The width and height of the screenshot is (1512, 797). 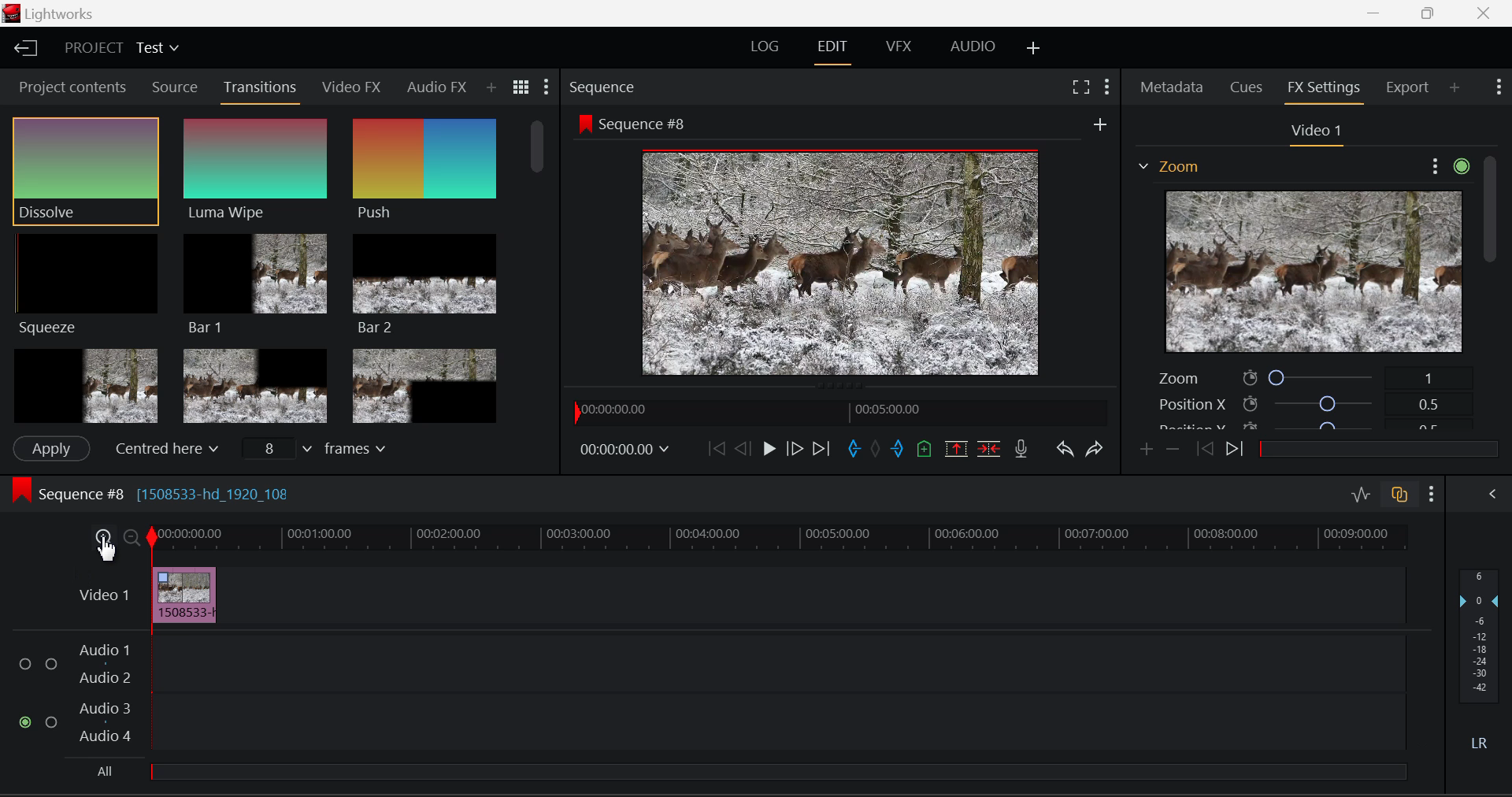 I want to click on Show Audio Mix, so click(x=1493, y=494).